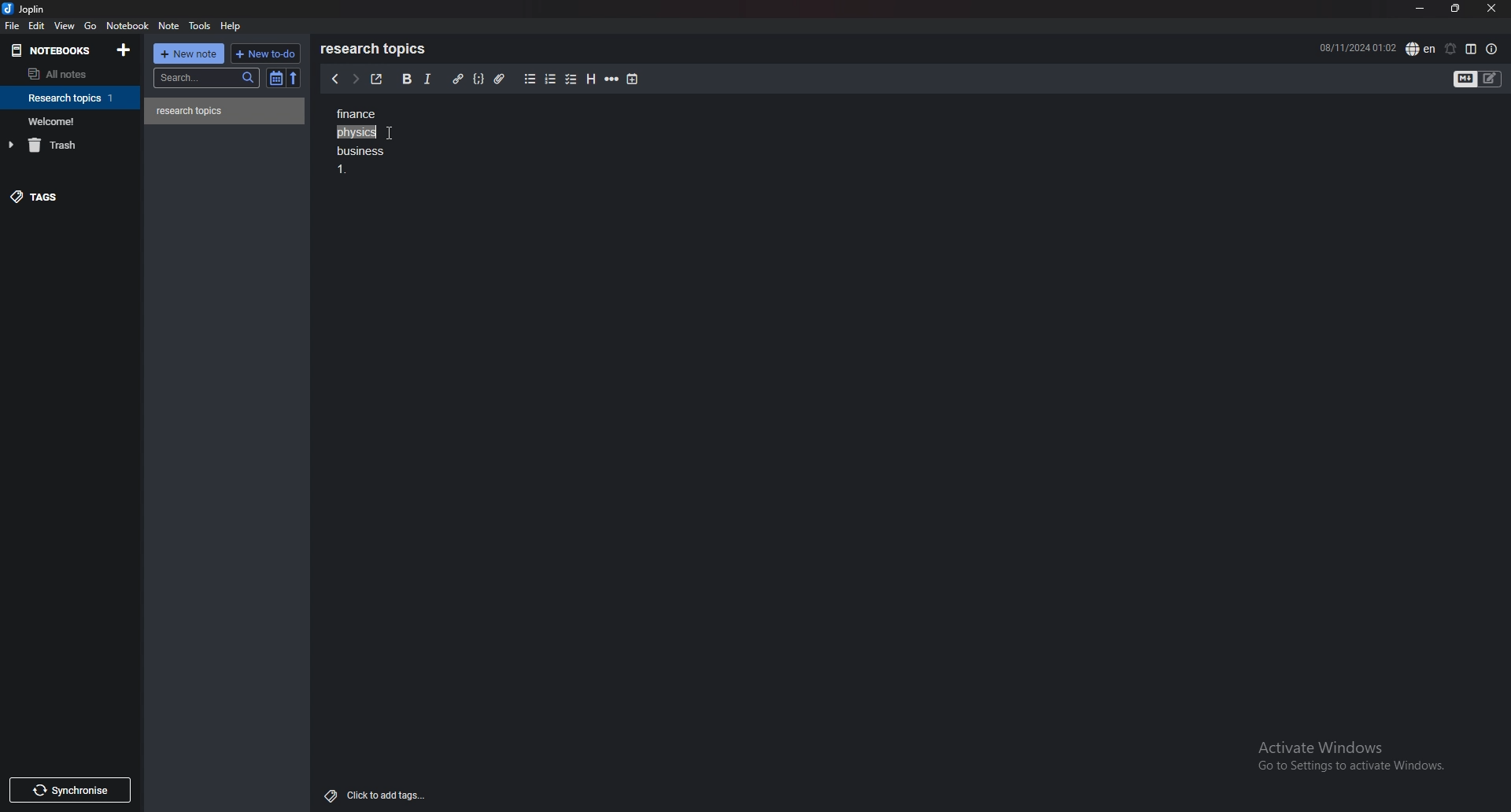  Describe the element at coordinates (479, 78) in the screenshot. I see `code` at that location.